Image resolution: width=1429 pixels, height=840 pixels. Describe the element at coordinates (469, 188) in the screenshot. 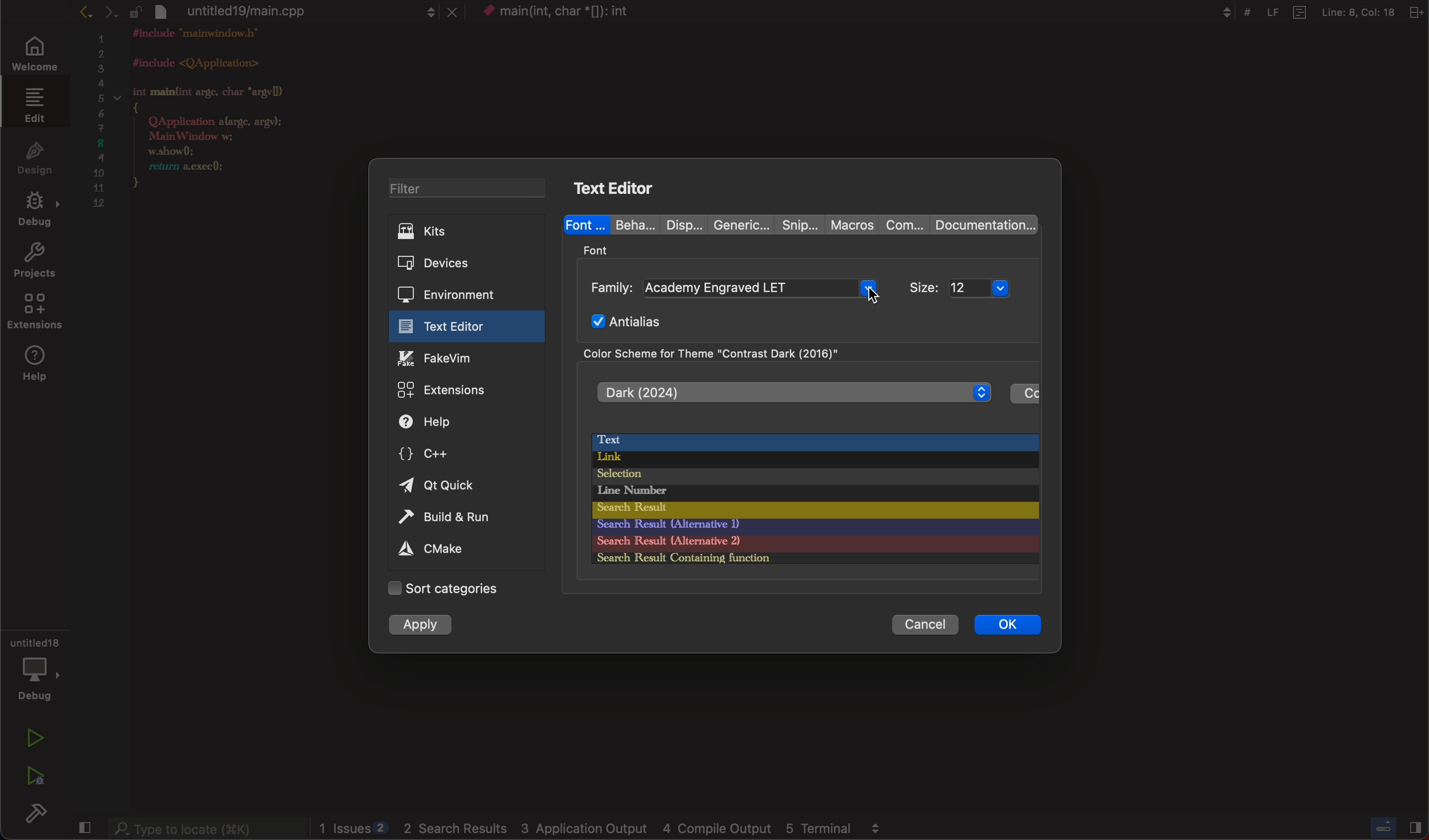

I see `filter` at that location.